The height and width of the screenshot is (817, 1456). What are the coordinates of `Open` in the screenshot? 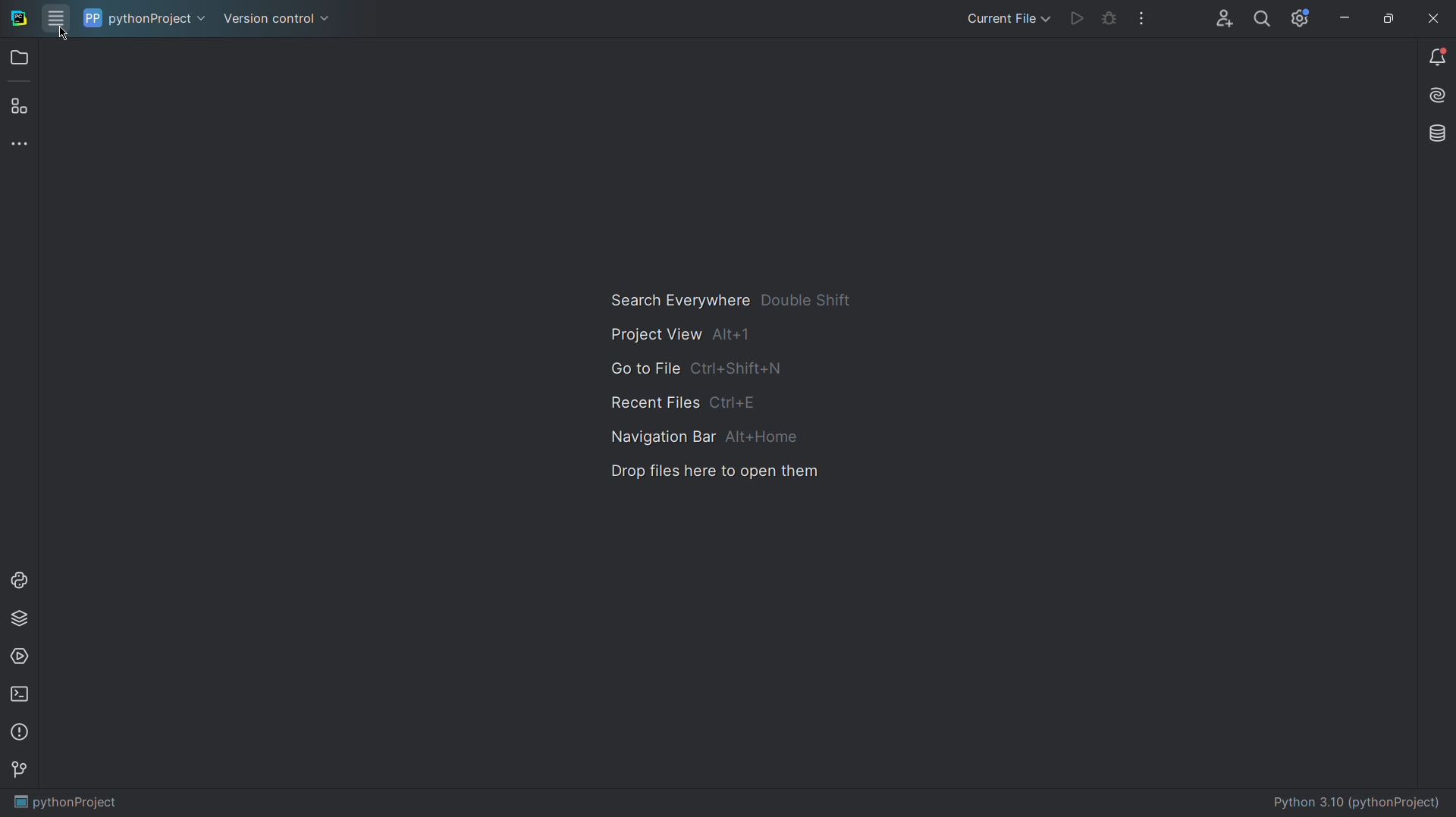 It's located at (19, 60).